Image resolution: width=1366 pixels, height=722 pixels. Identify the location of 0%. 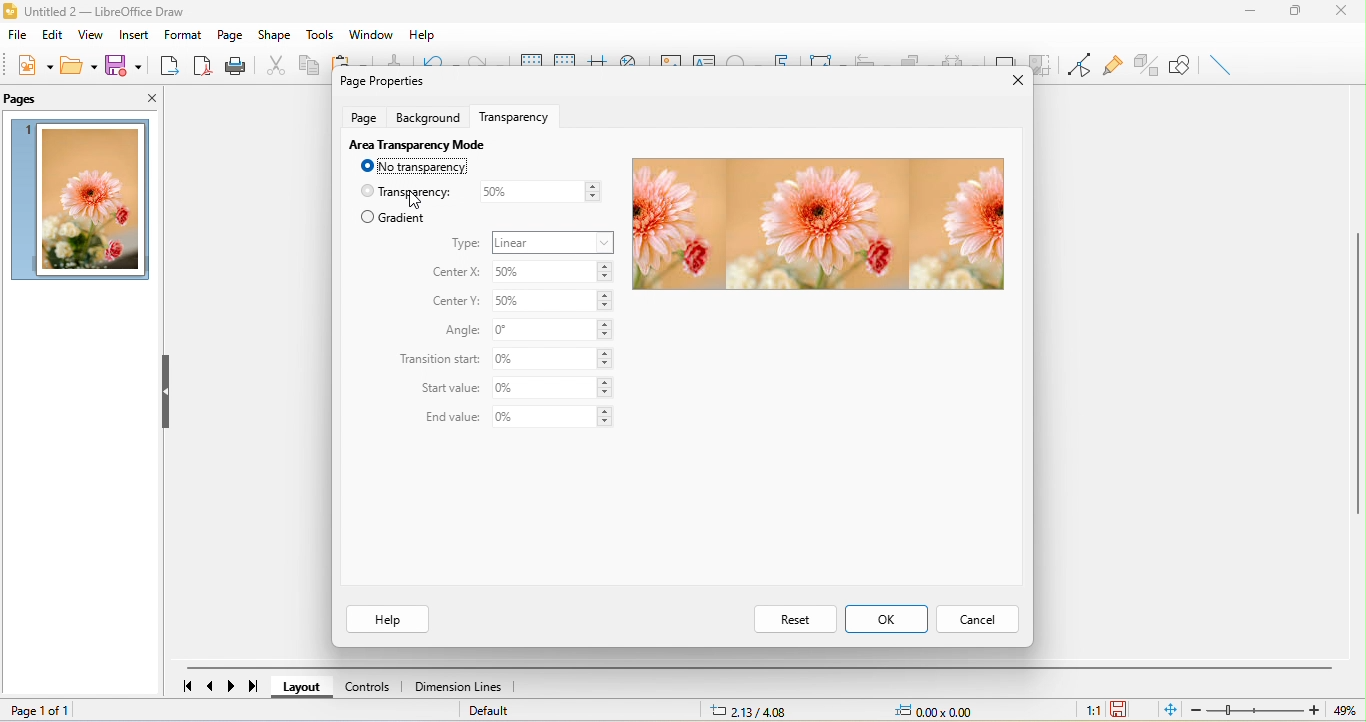
(555, 359).